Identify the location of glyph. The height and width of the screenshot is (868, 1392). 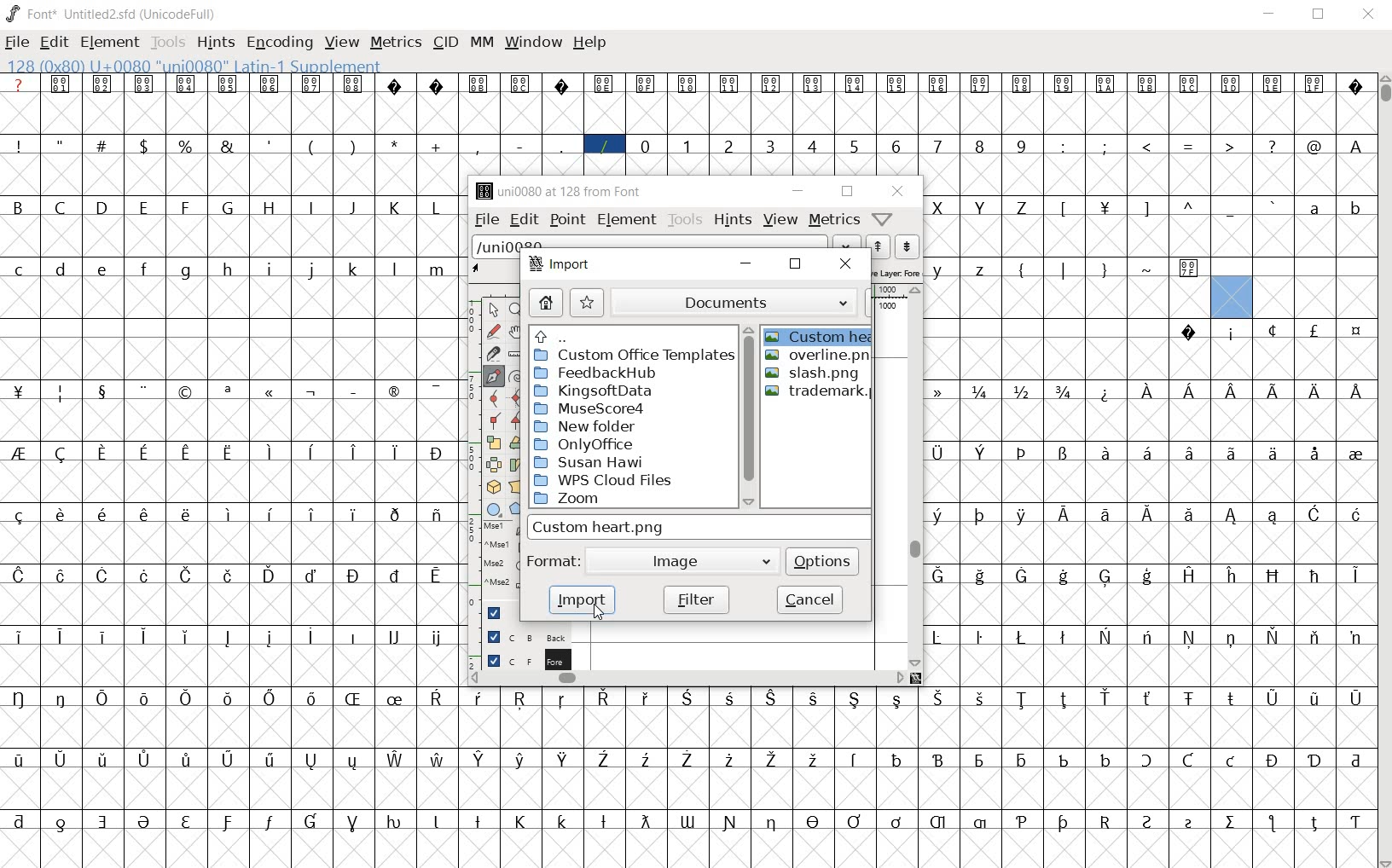
(1022, 84).